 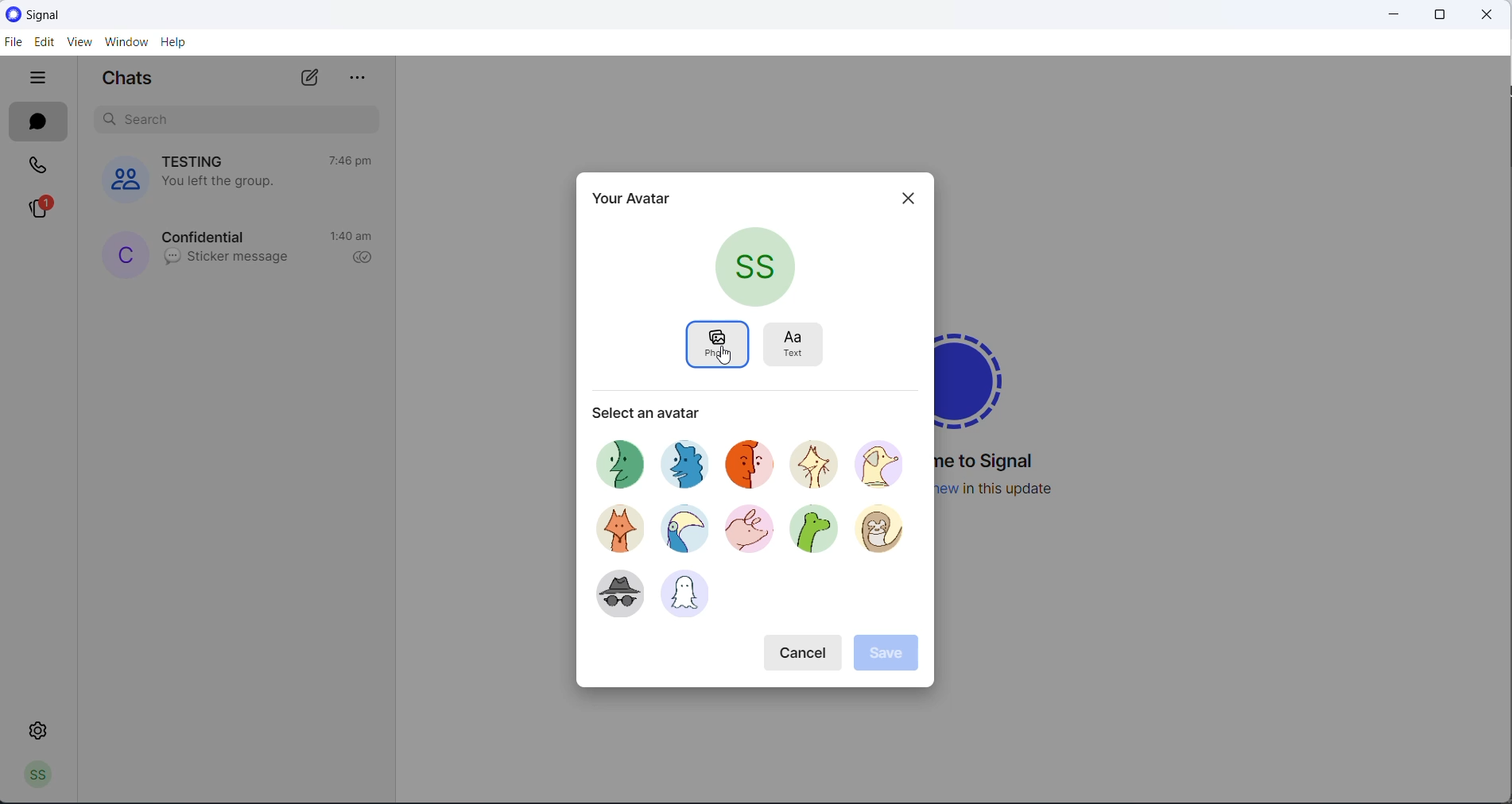 I want to click on EDIT, so click(x=42, y=43).